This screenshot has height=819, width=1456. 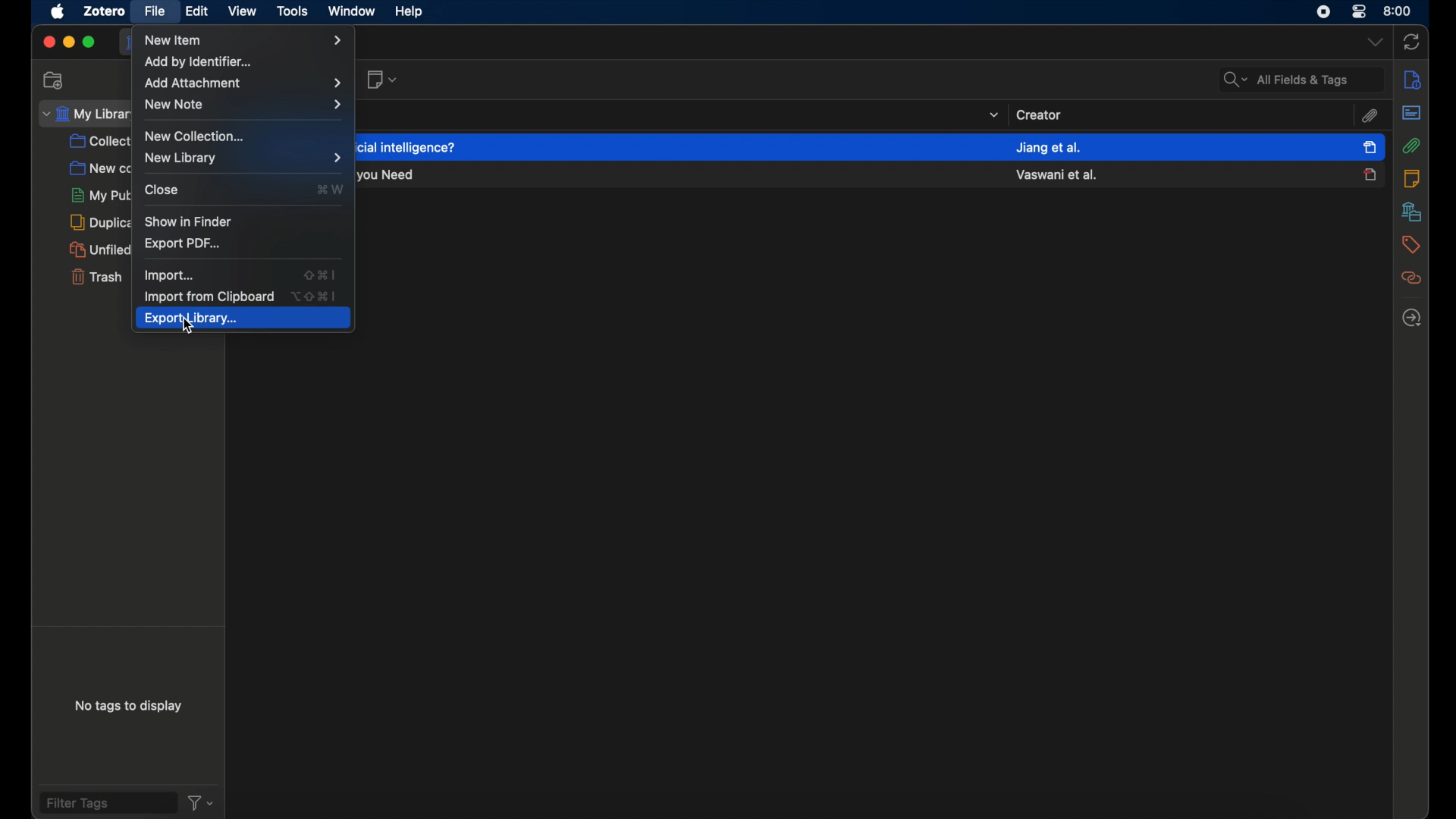 What do you see at coordinates (1370, 174) in the screenshot?
I see `item unselected` at bounding box center [1370, 174].